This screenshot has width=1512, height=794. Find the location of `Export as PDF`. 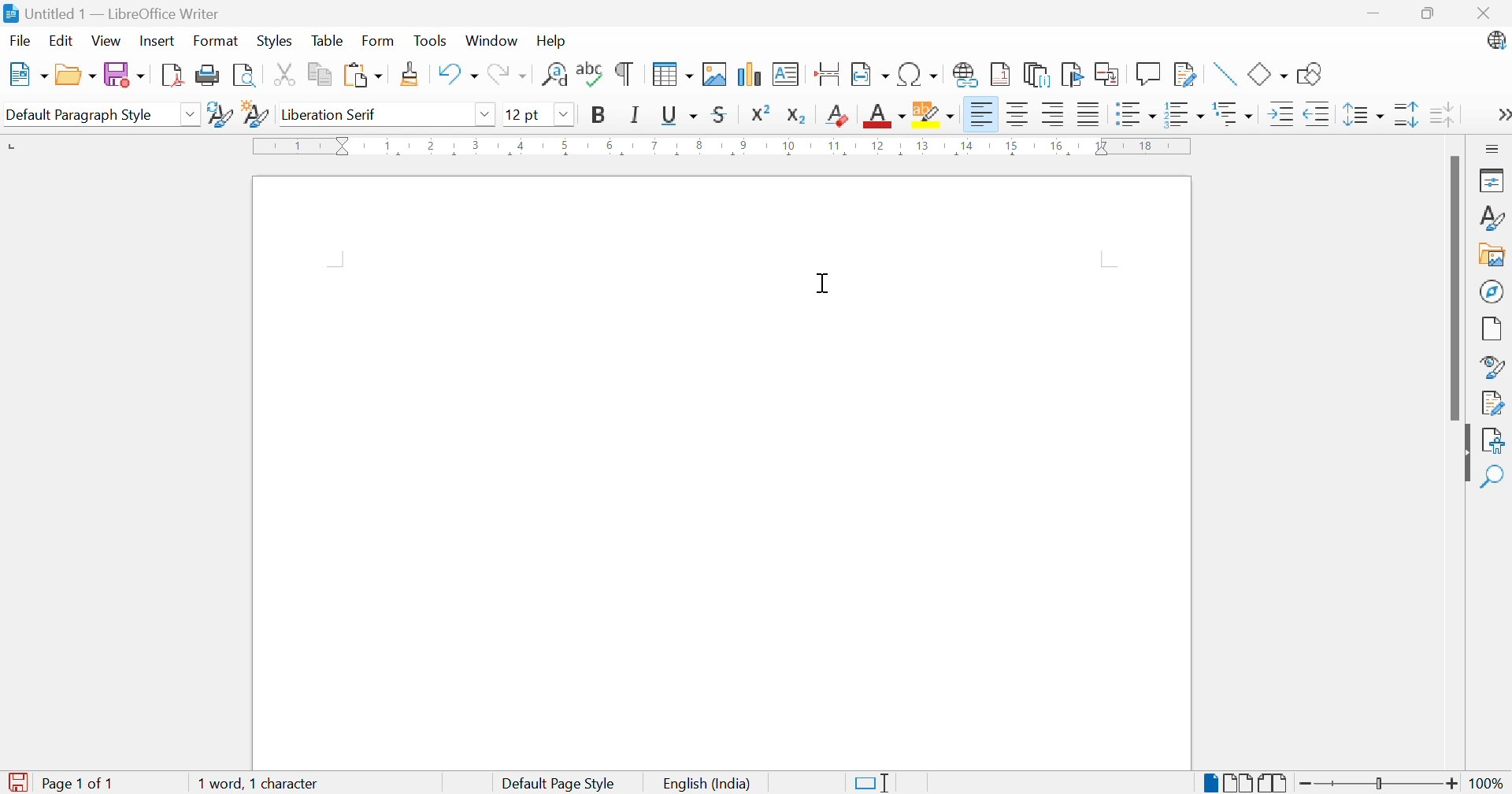

Export as PDF is located at coordinates (171, 76).